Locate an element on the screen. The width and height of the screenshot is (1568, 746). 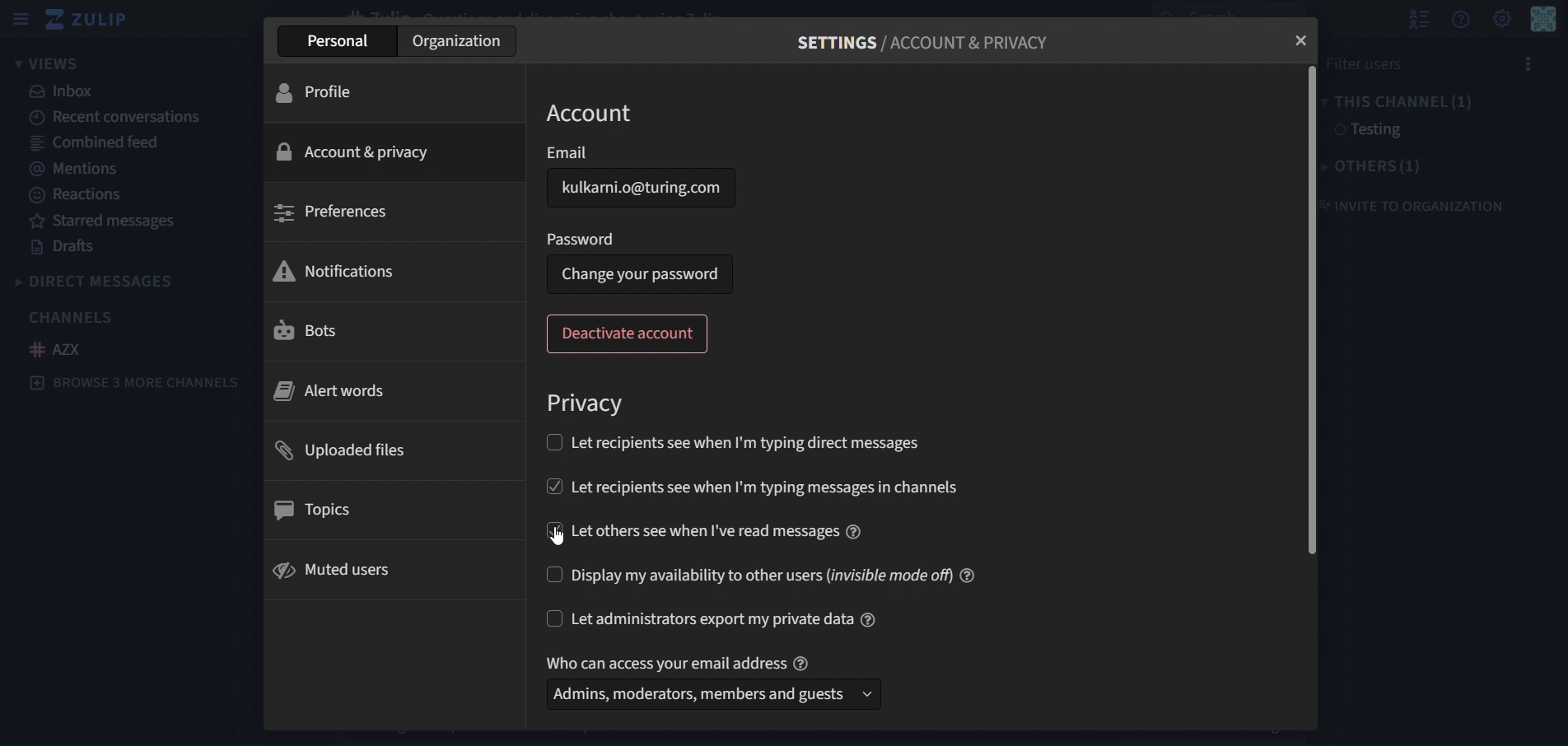
check box is located at coordinates (555, 618).